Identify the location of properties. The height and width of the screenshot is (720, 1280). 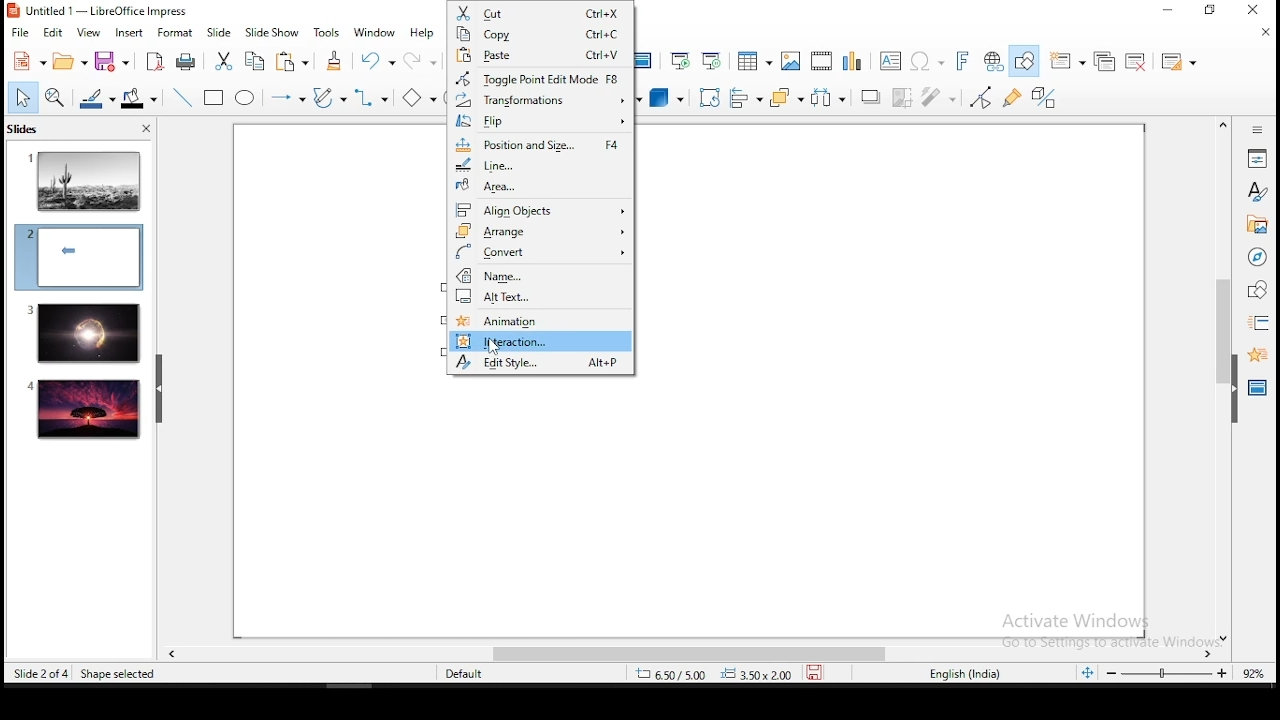
(1257, 157).